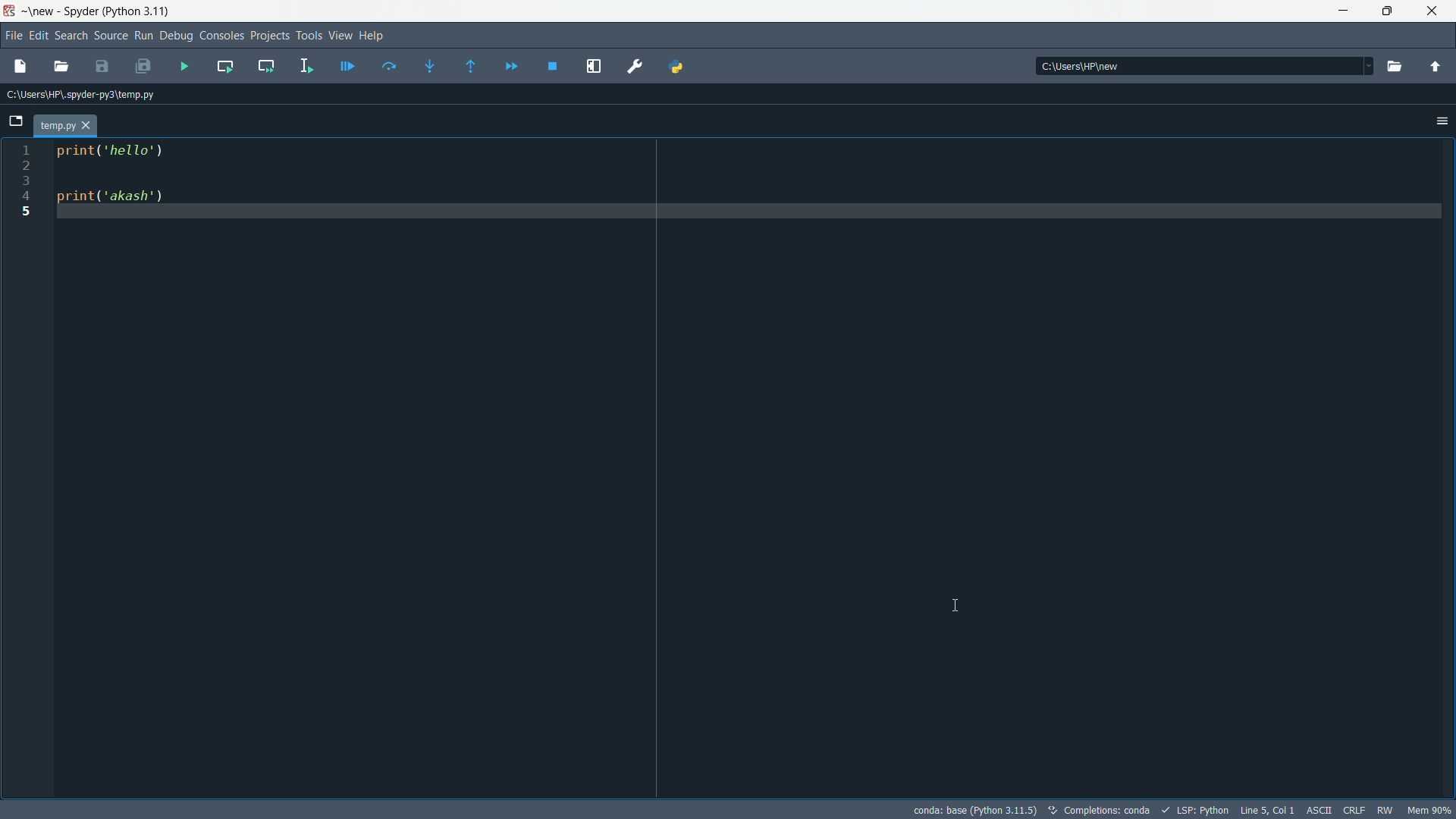 The image size is (1456, 819). I want to click on help menu, so click(372, 36).